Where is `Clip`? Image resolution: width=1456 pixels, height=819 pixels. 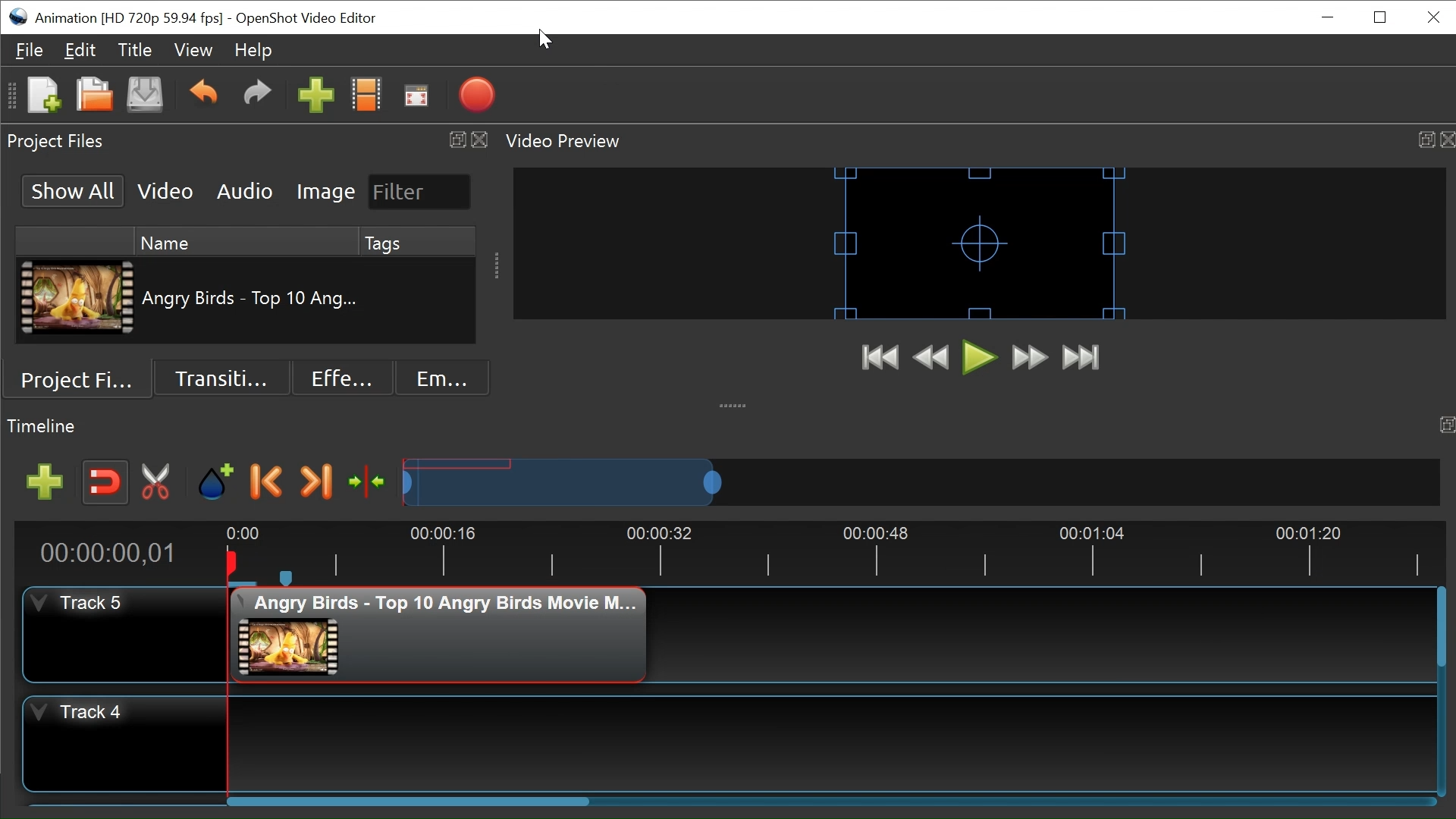
Clip is located at coordinates (440, 634).